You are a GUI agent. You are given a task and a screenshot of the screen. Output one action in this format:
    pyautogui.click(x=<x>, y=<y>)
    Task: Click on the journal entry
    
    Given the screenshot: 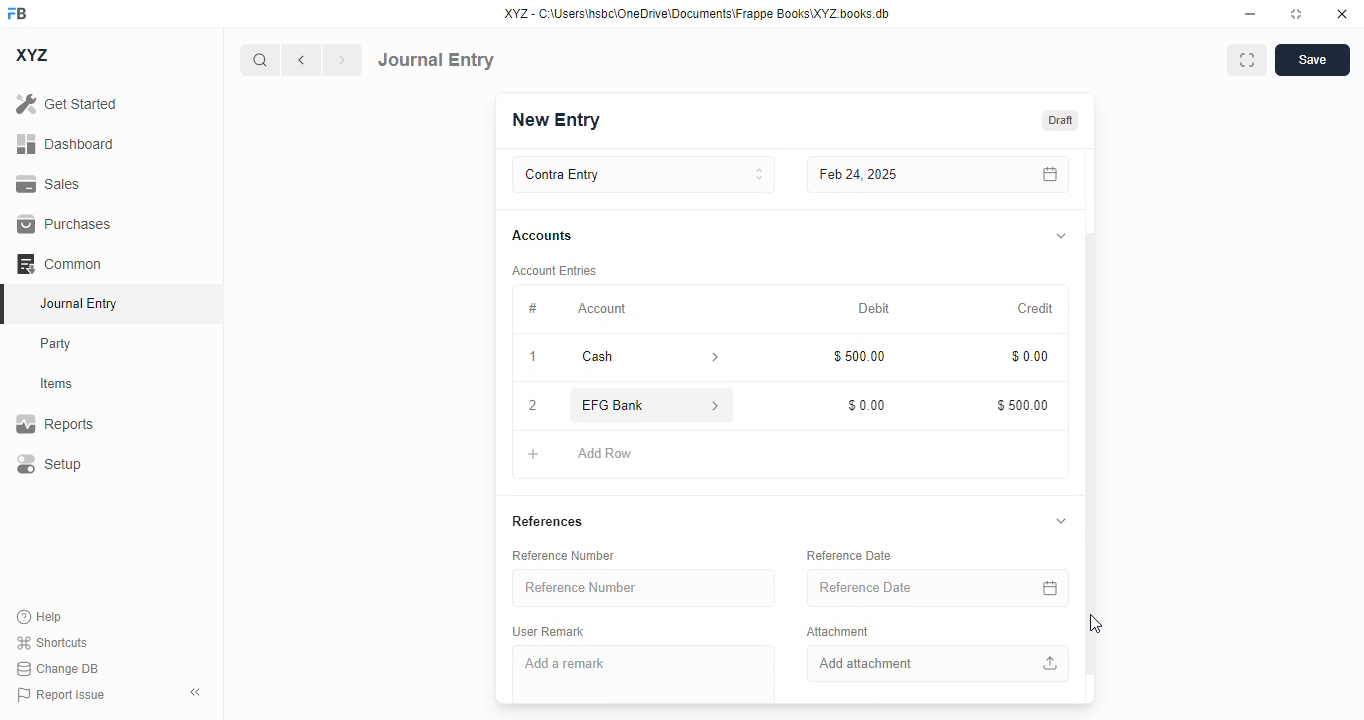 What is the action you would take?
    pyautogui.click(x=80, y=303)
    